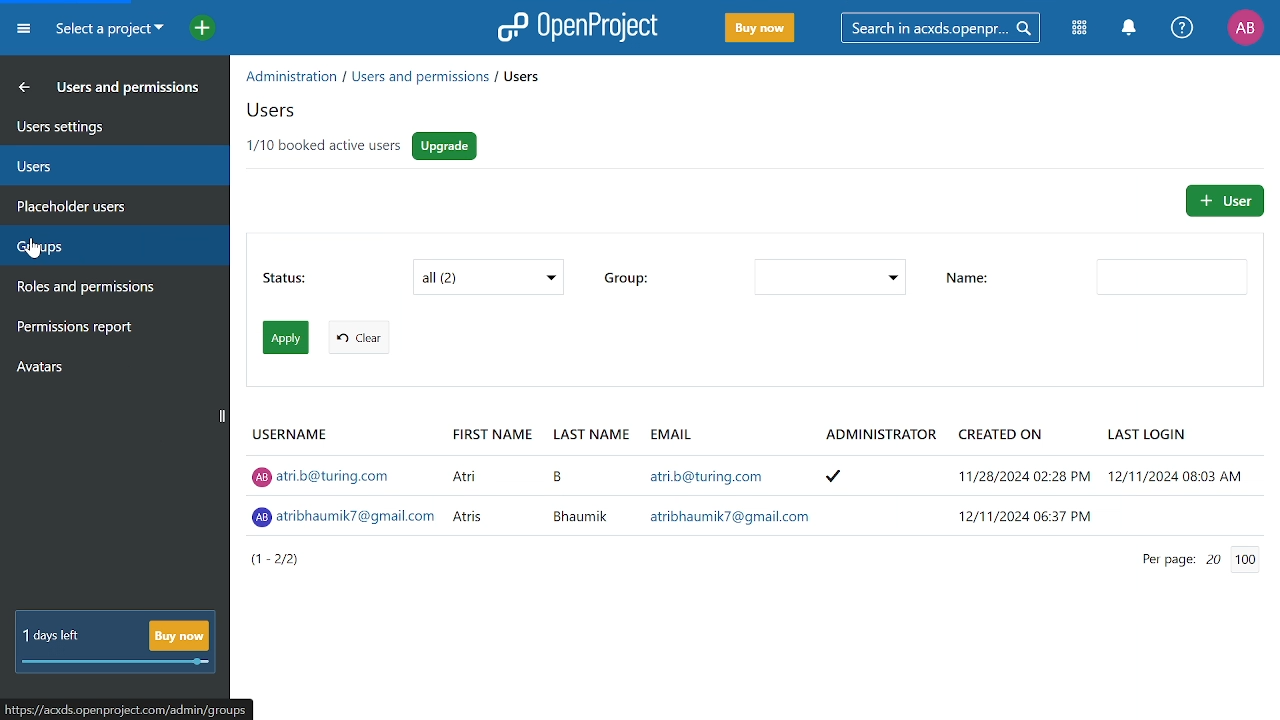 The image size is (1280, 720). Describe the element at coordinates (107, 31) in the screenshot. I see `Current project` at that location.